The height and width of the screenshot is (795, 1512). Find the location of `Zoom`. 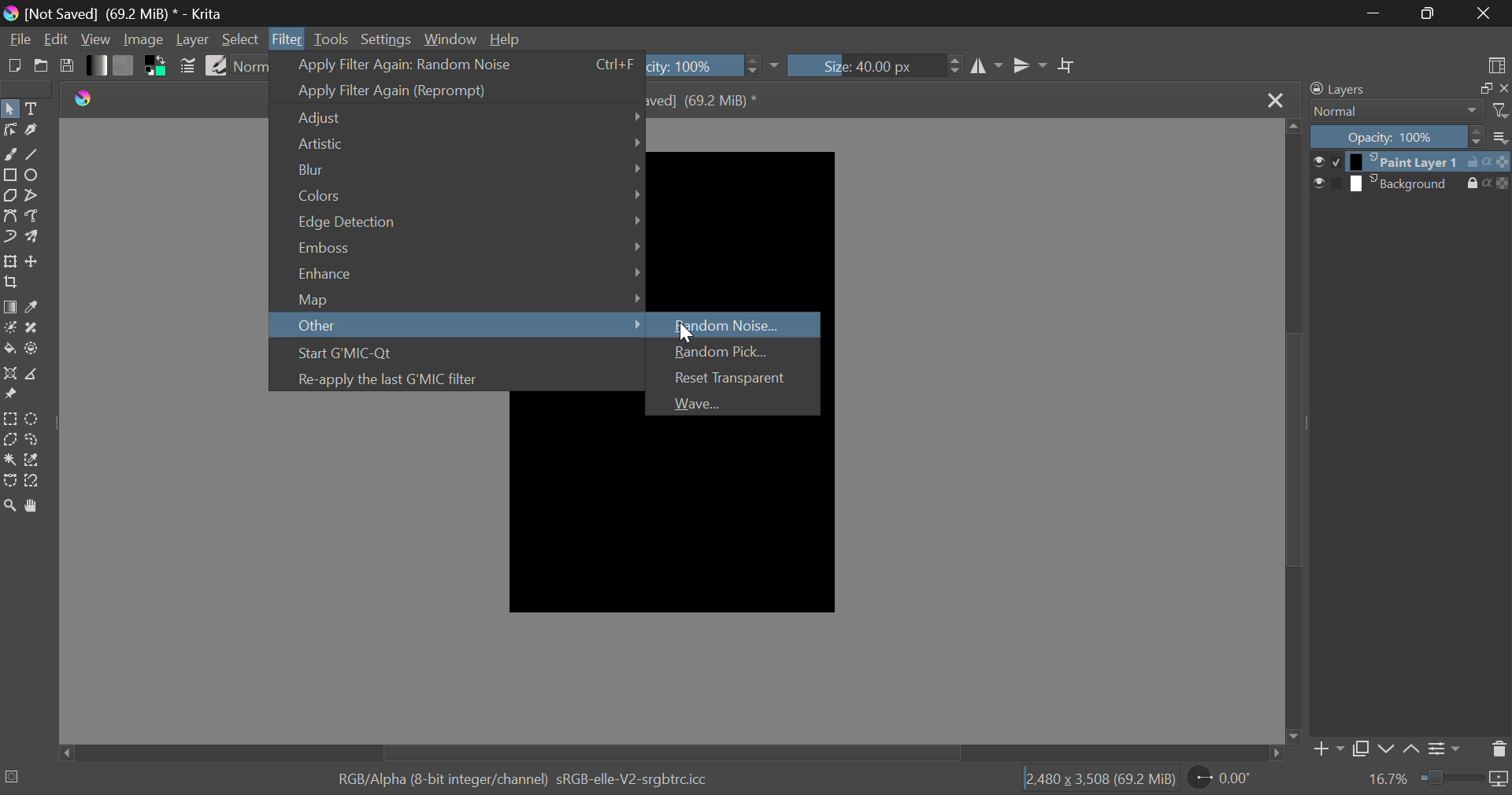

Zoom is located at coordinates (11, 505).